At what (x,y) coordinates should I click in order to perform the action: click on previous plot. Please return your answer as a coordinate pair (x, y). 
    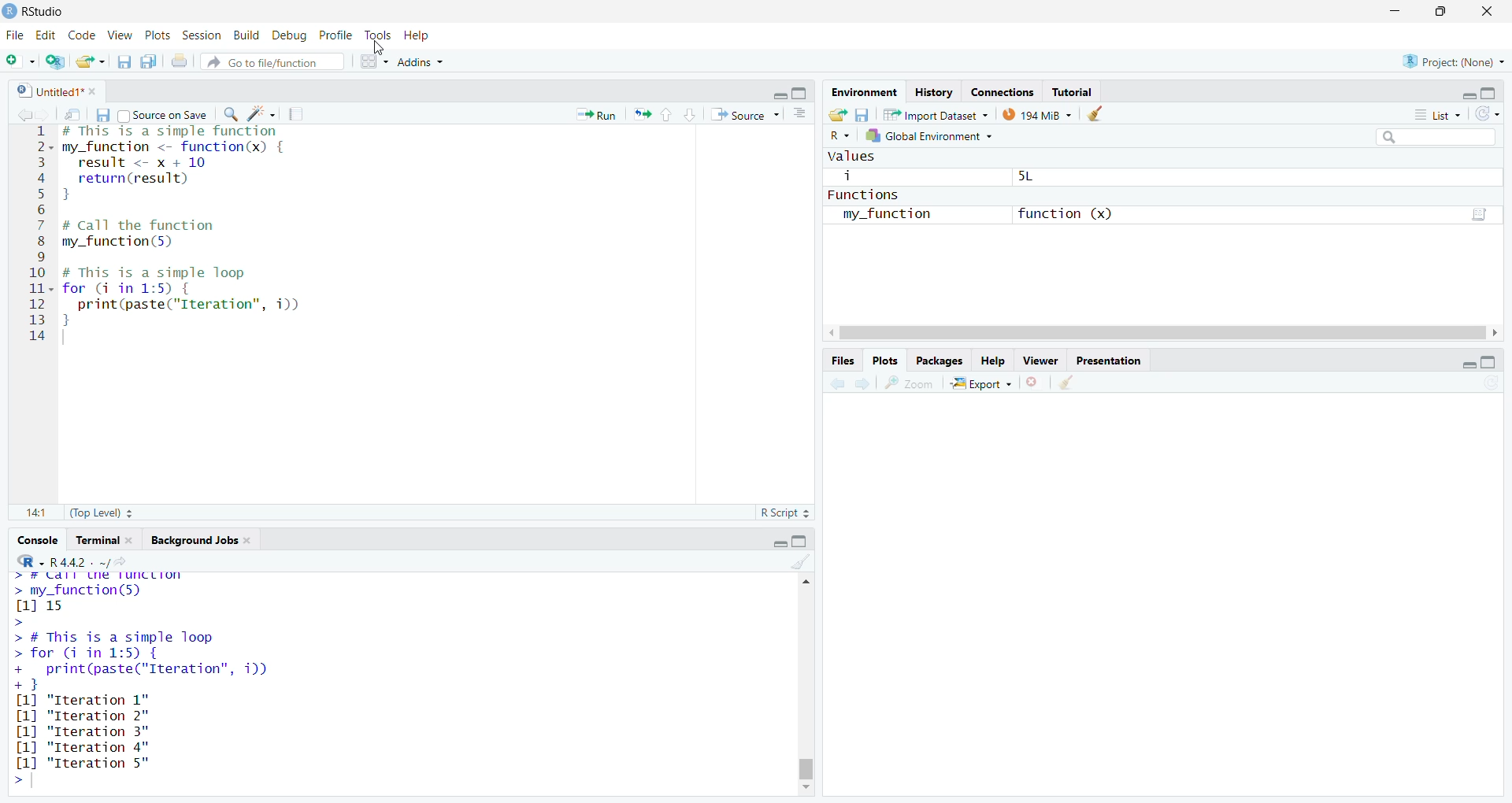
    Looking at the image, I should click on (833, 385).